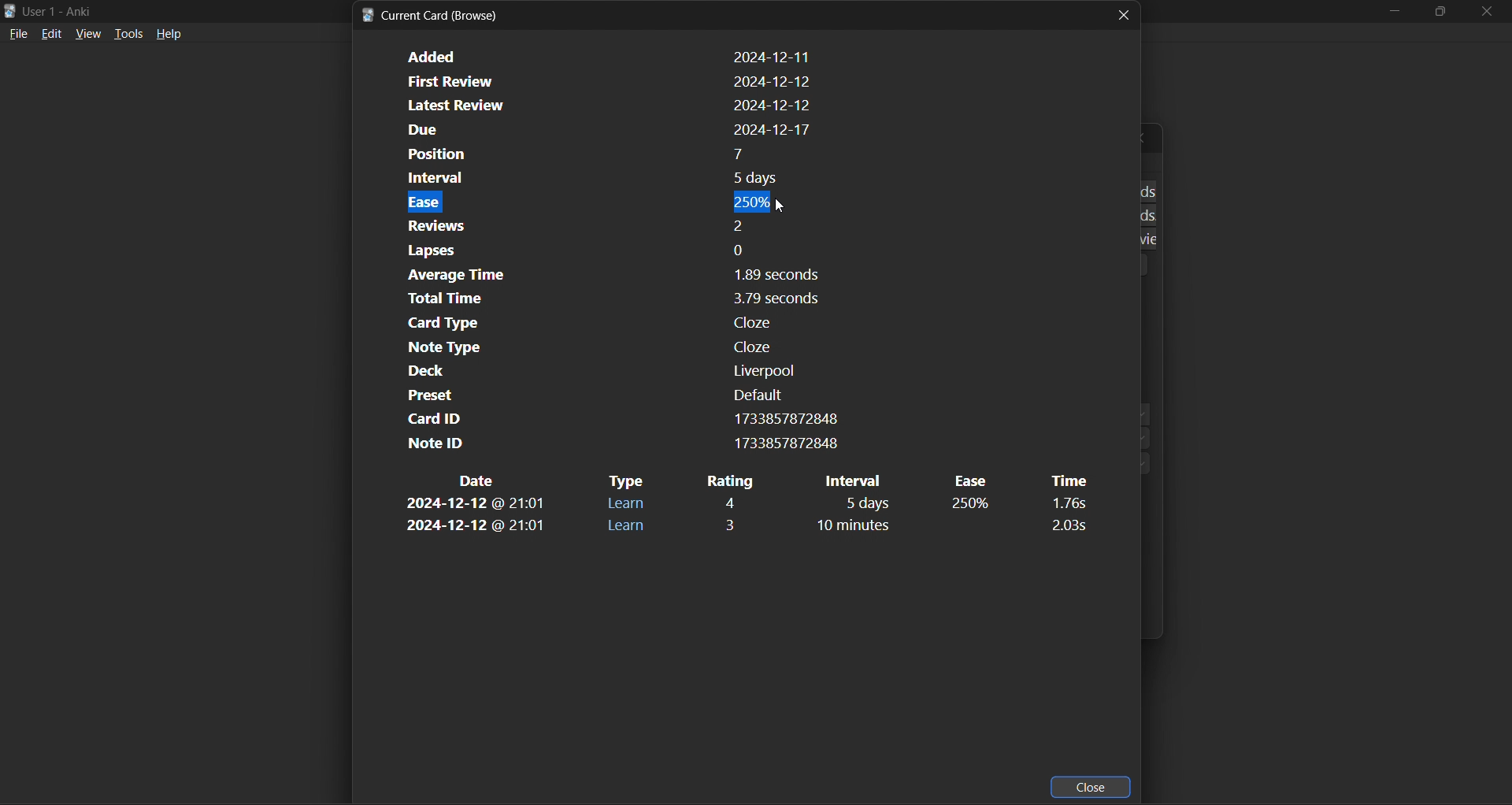 The image size is (1512, 805). I want to click on close, so click(1124, 14).